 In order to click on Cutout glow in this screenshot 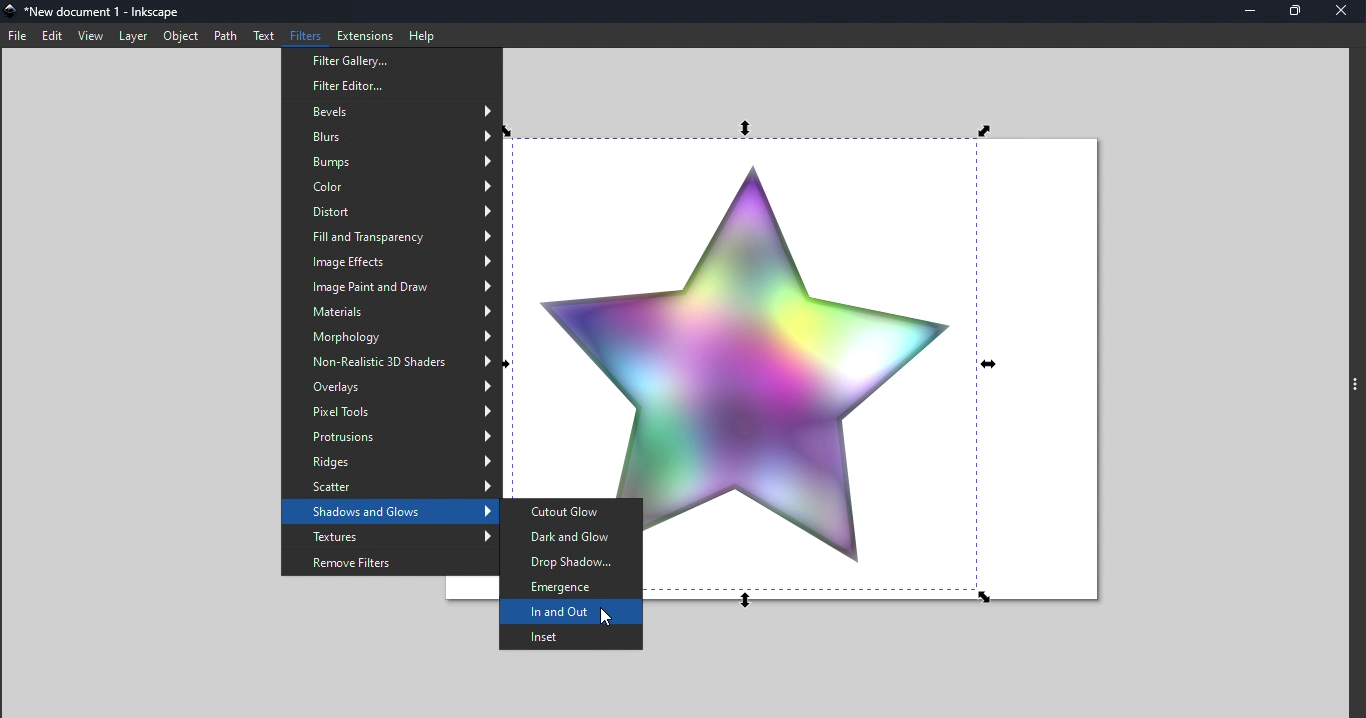, I will do `click(573, 510)`.